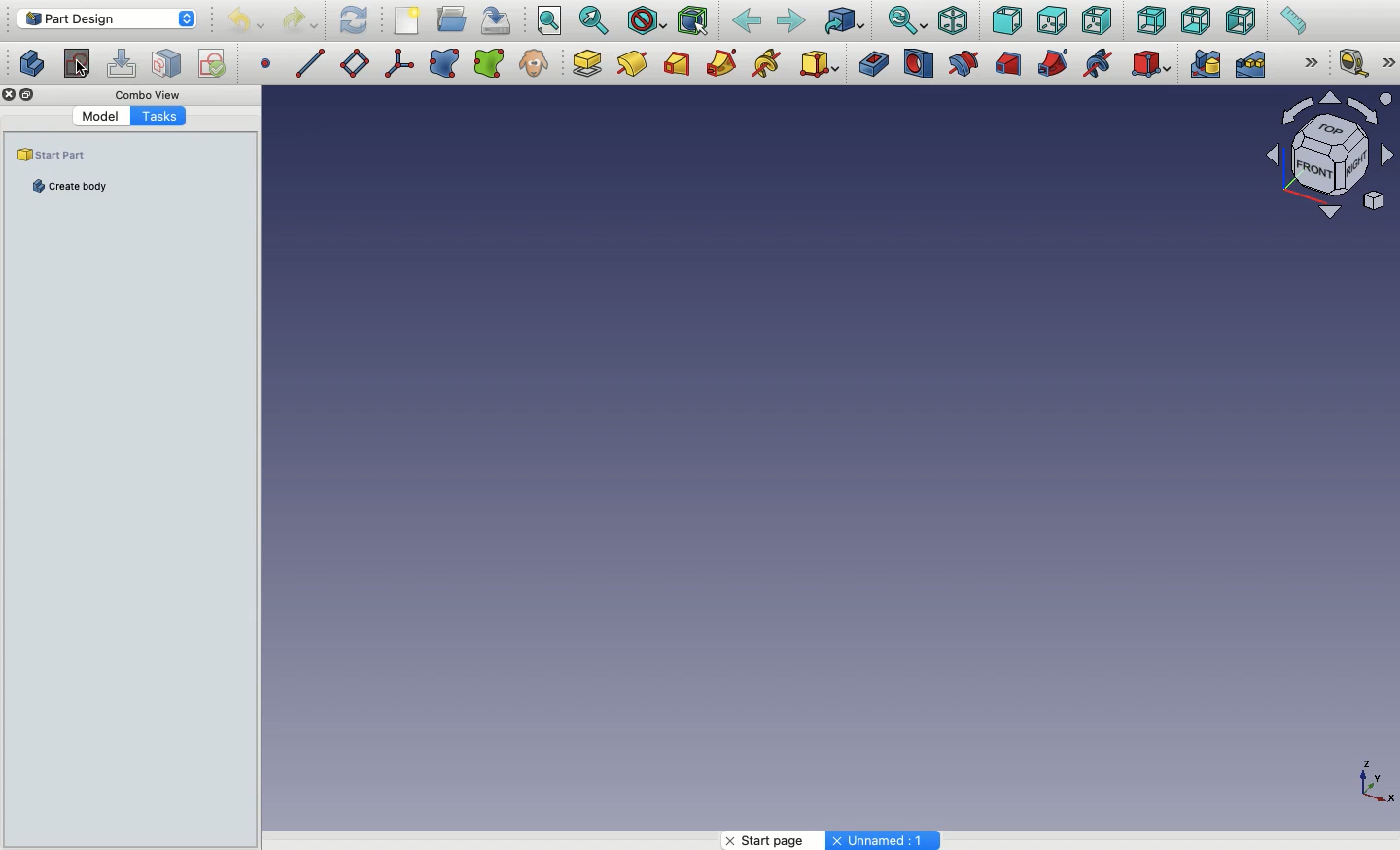 The image size is (1400, 850). I want to click on Bottom, so click(1194, 22).